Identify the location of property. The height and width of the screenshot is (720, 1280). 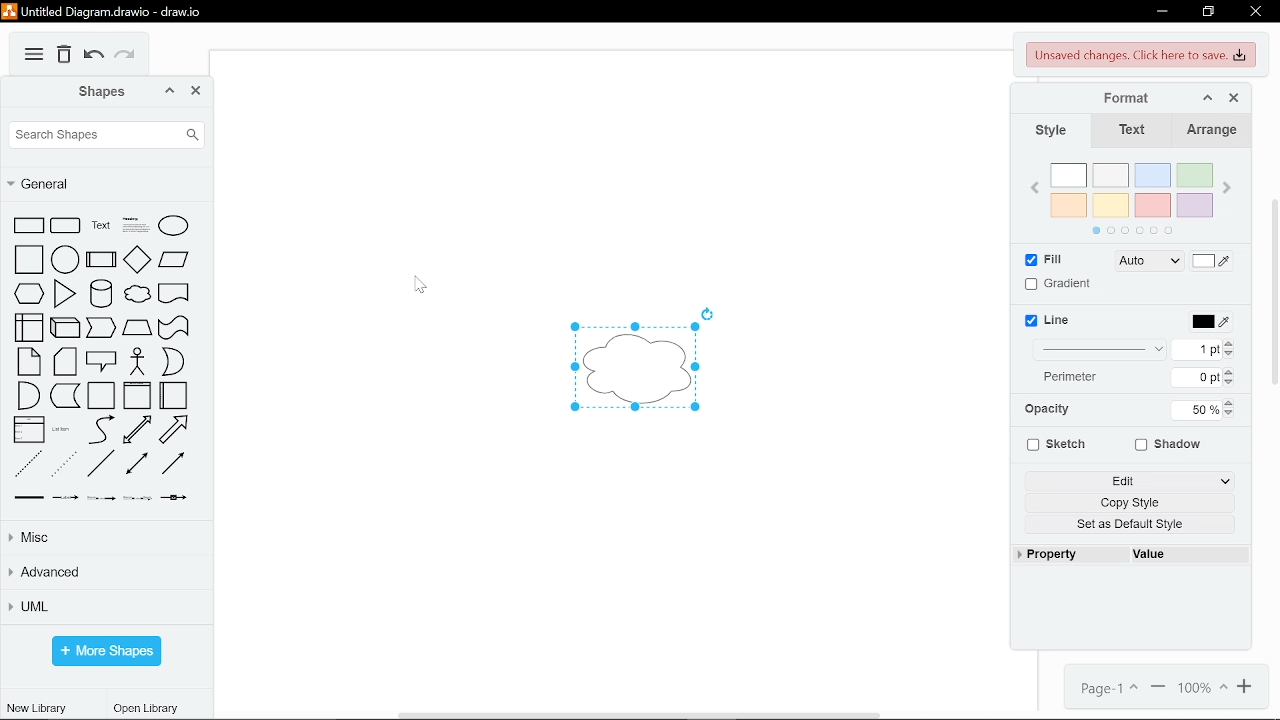
(1070, 554).